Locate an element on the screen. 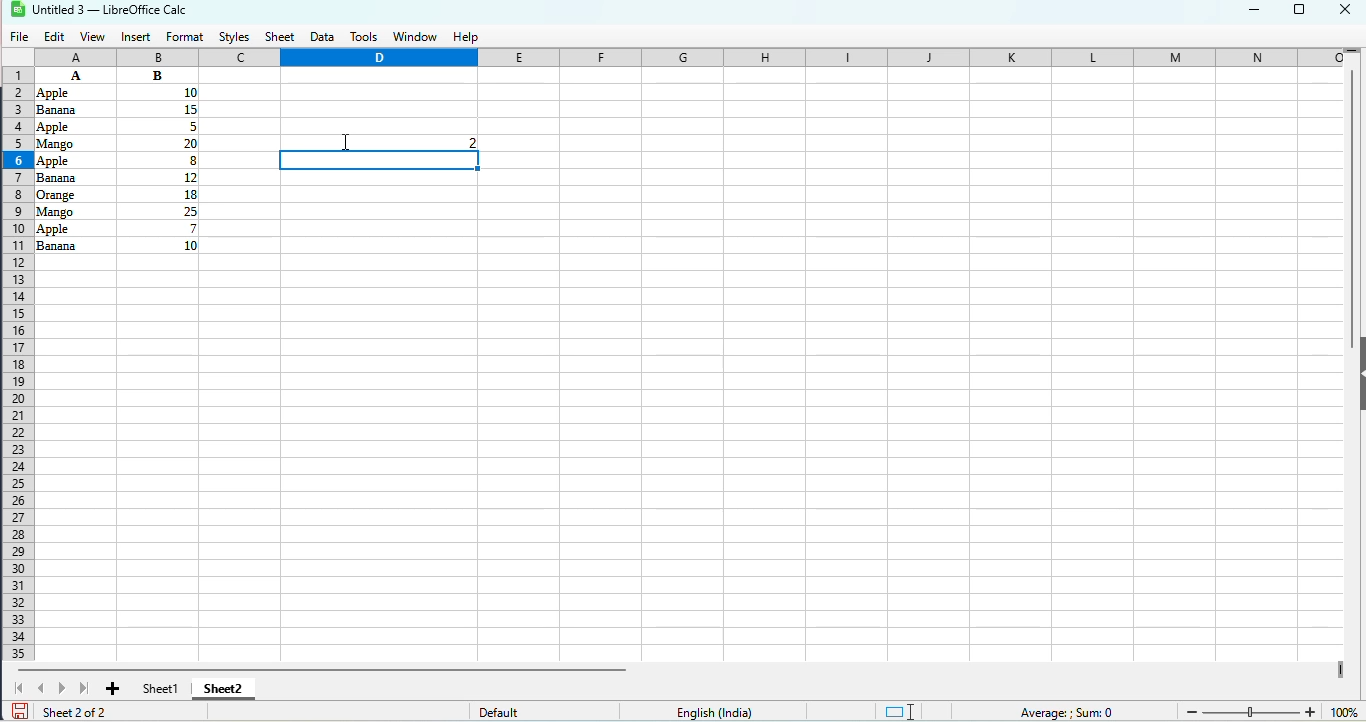  formula is located at coordinates (1066, 712).